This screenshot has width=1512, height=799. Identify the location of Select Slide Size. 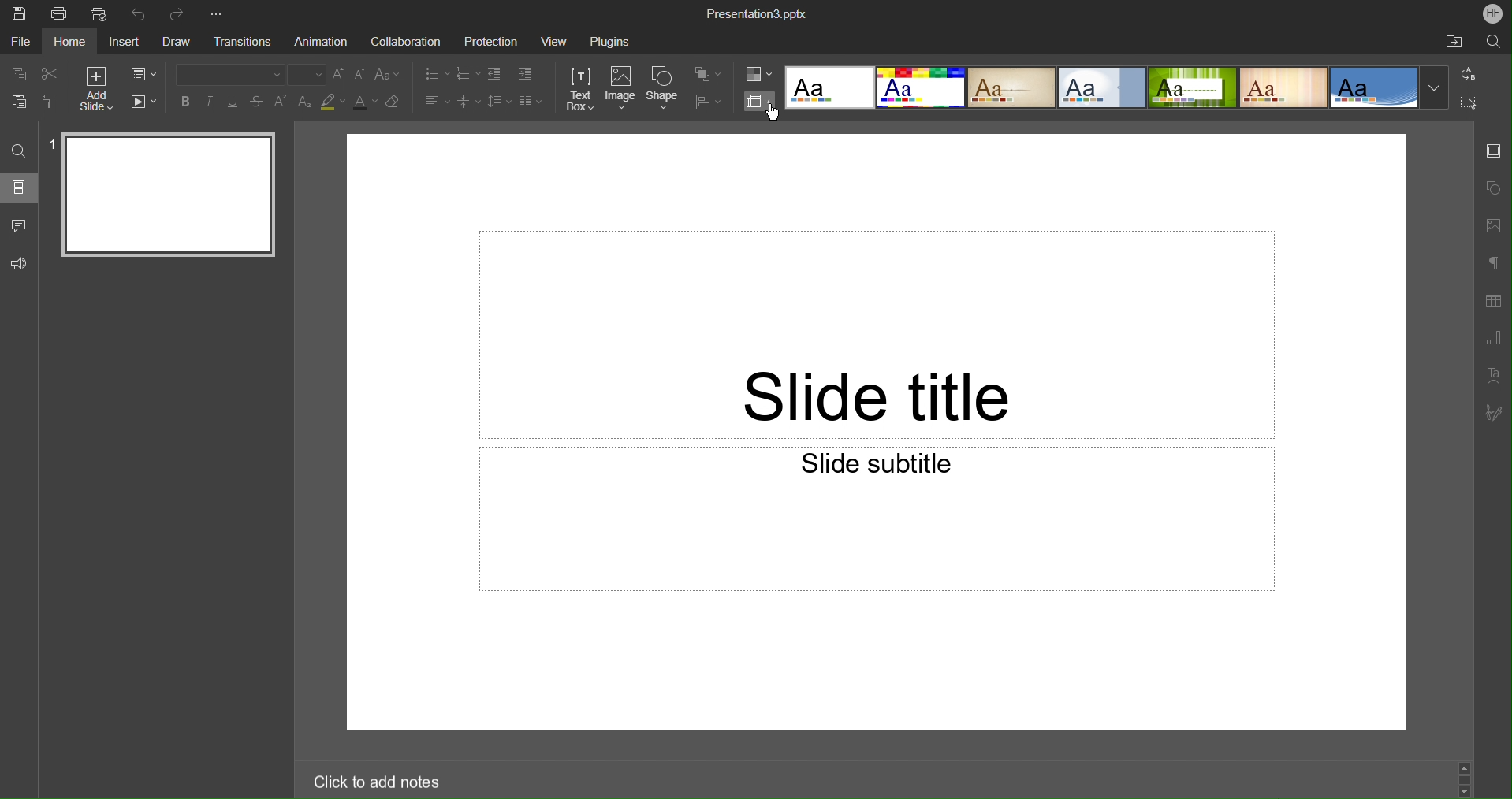
(759, 102).